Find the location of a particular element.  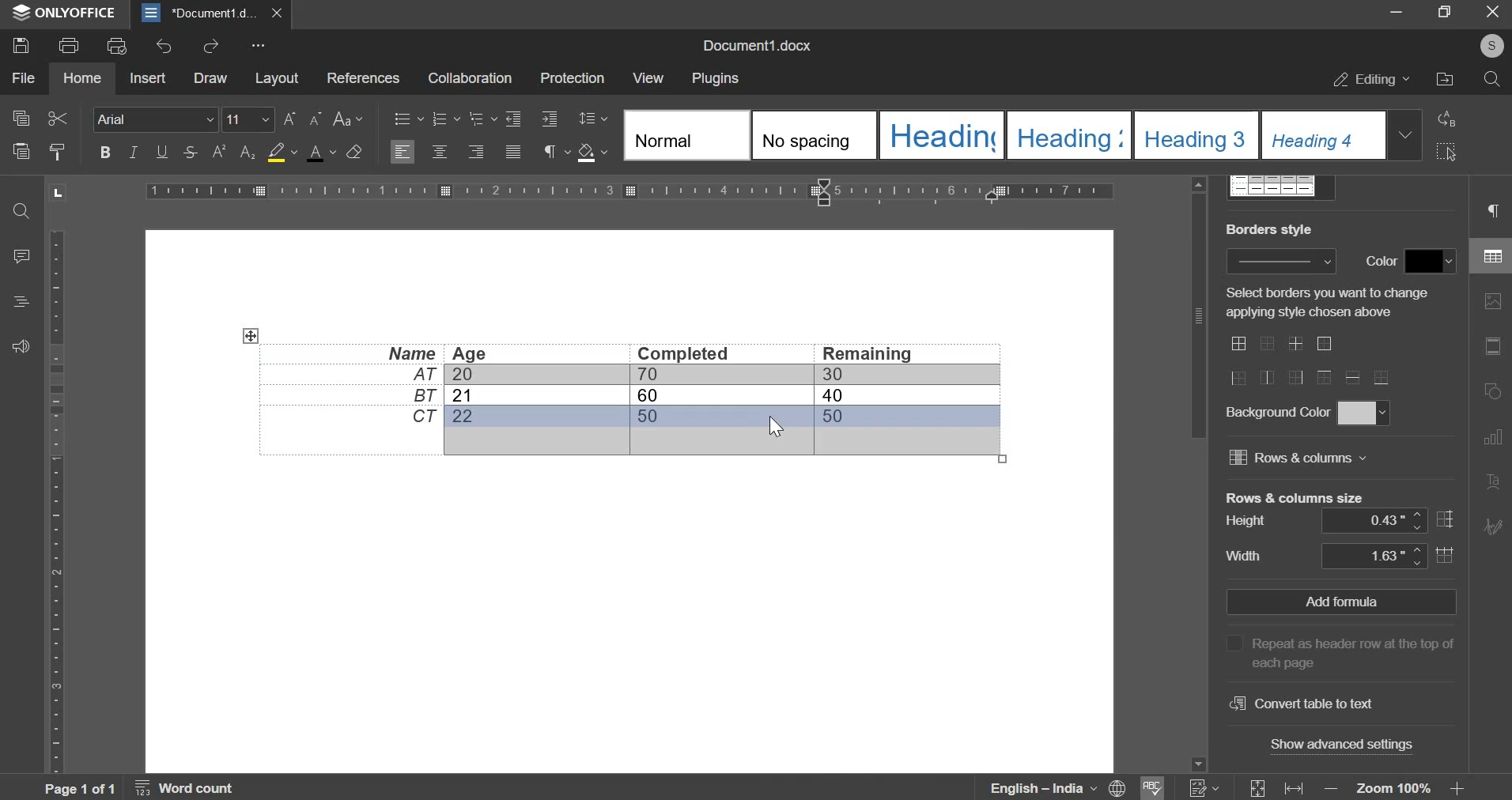

Add formula is located at coordinates (1341, 601).